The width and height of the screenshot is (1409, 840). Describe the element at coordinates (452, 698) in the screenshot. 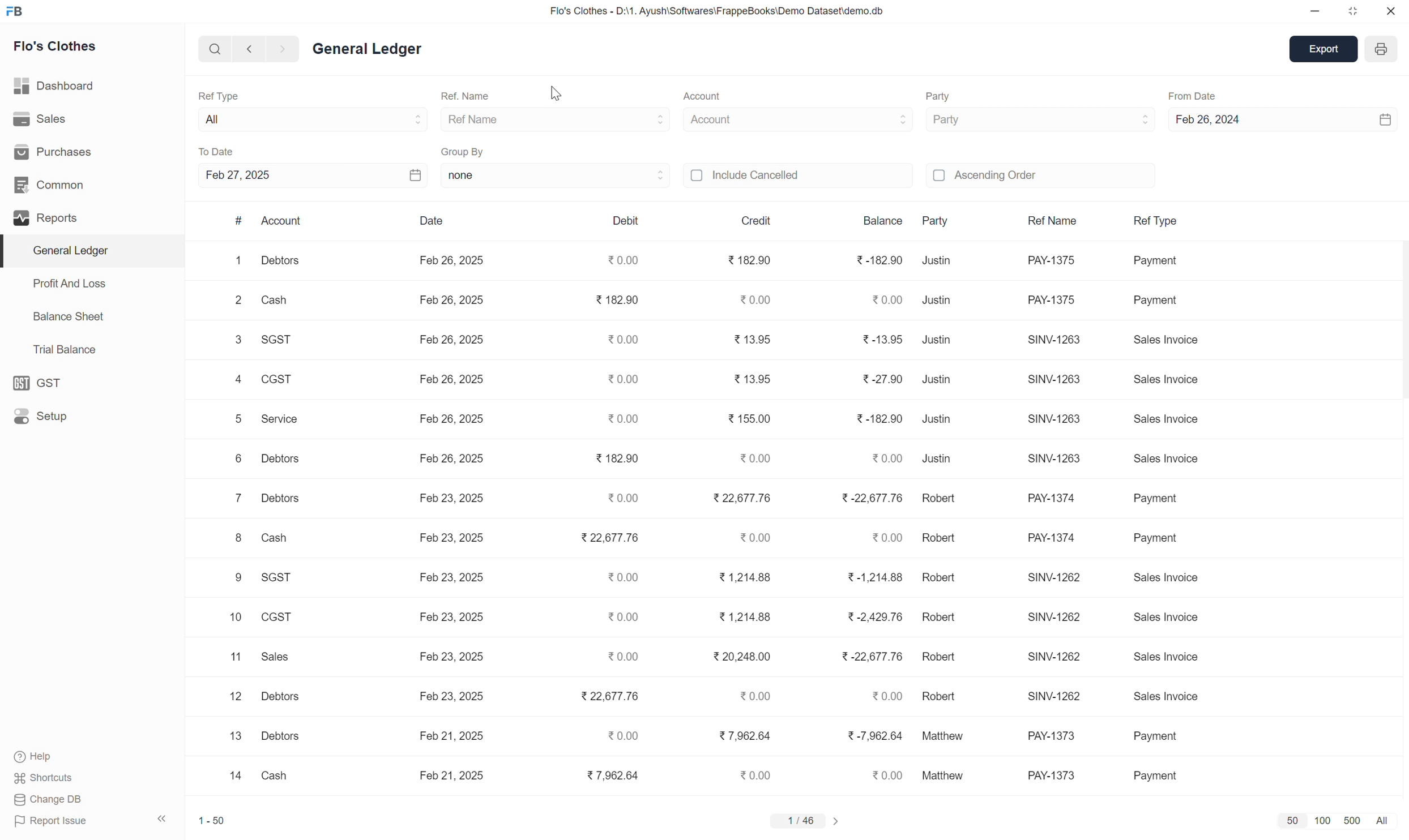

I see `feb 26, 2025` at that location.